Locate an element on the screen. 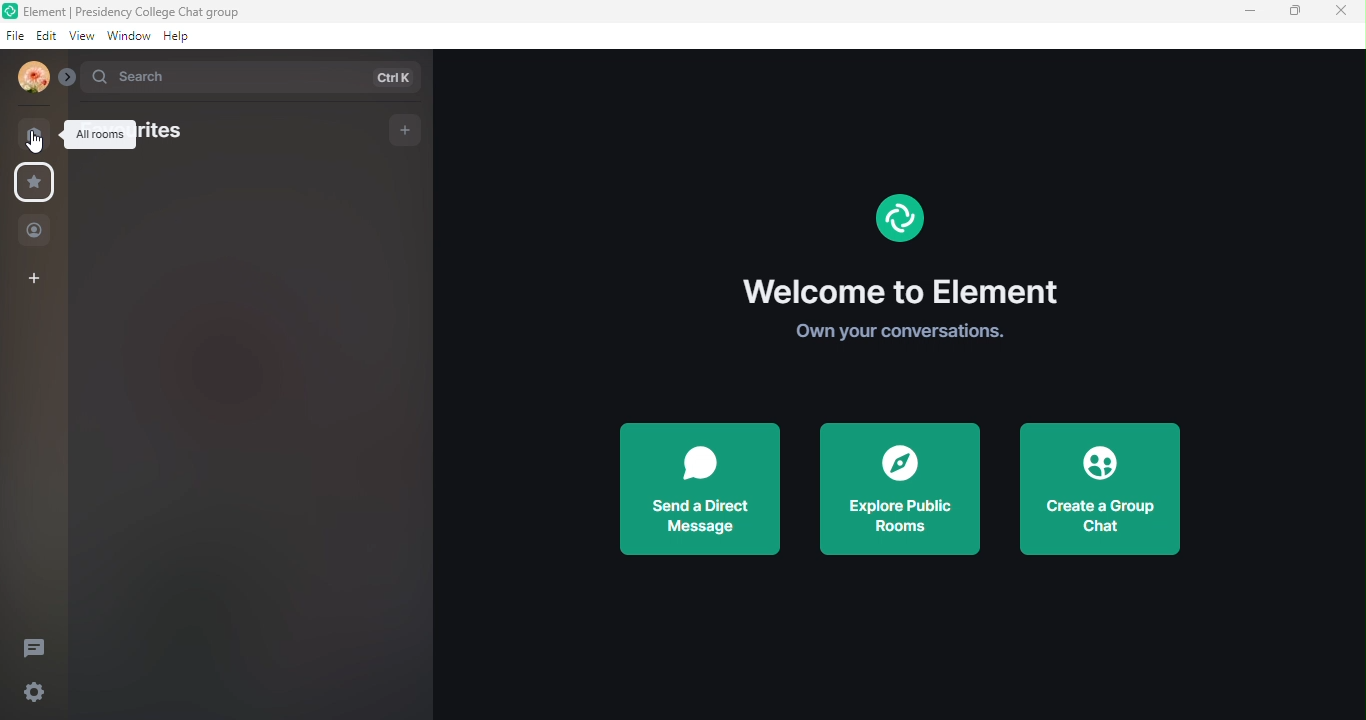 Image resolution: width=1366 pixels, height=720 pixels. add is located at coordinates (402, 128).